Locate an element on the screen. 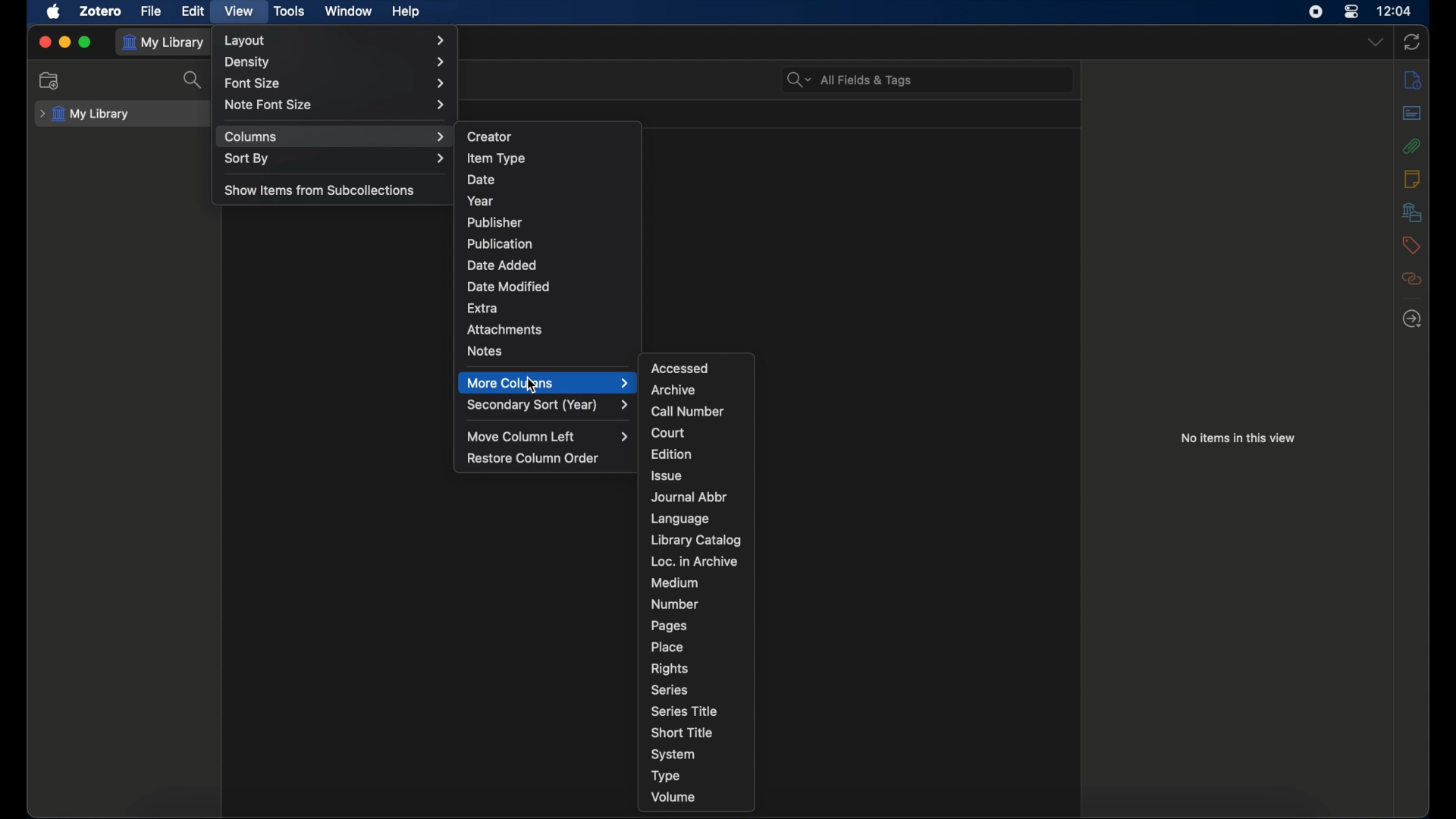 This screenshot has width=1456, height=819. item type is located at coordinates (496, 158).